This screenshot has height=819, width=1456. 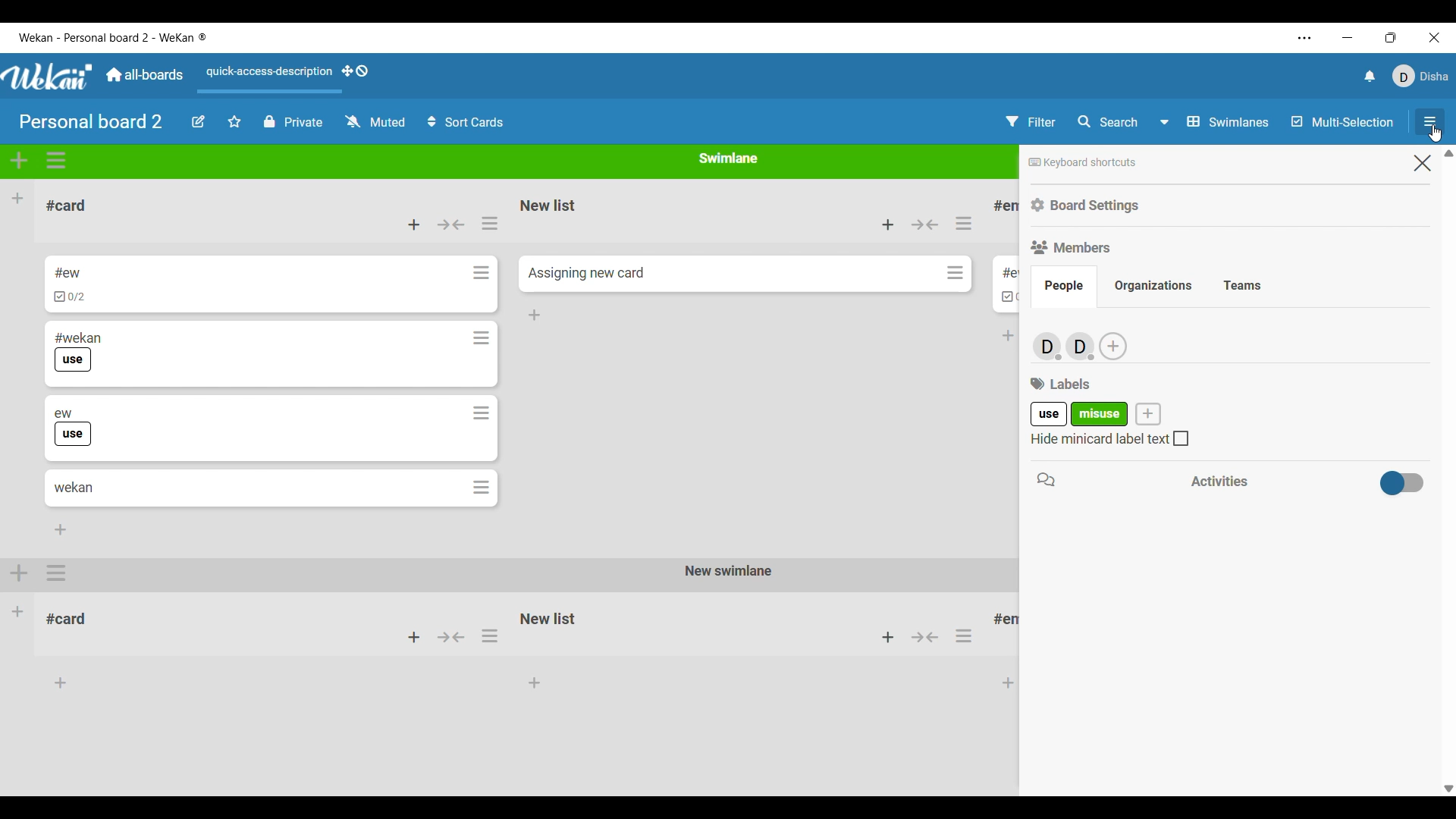 What do you see at coordinates (1009, 336) in the screenshot?
I see `Add card to bottom of list` at bounding box center [1009, 336].